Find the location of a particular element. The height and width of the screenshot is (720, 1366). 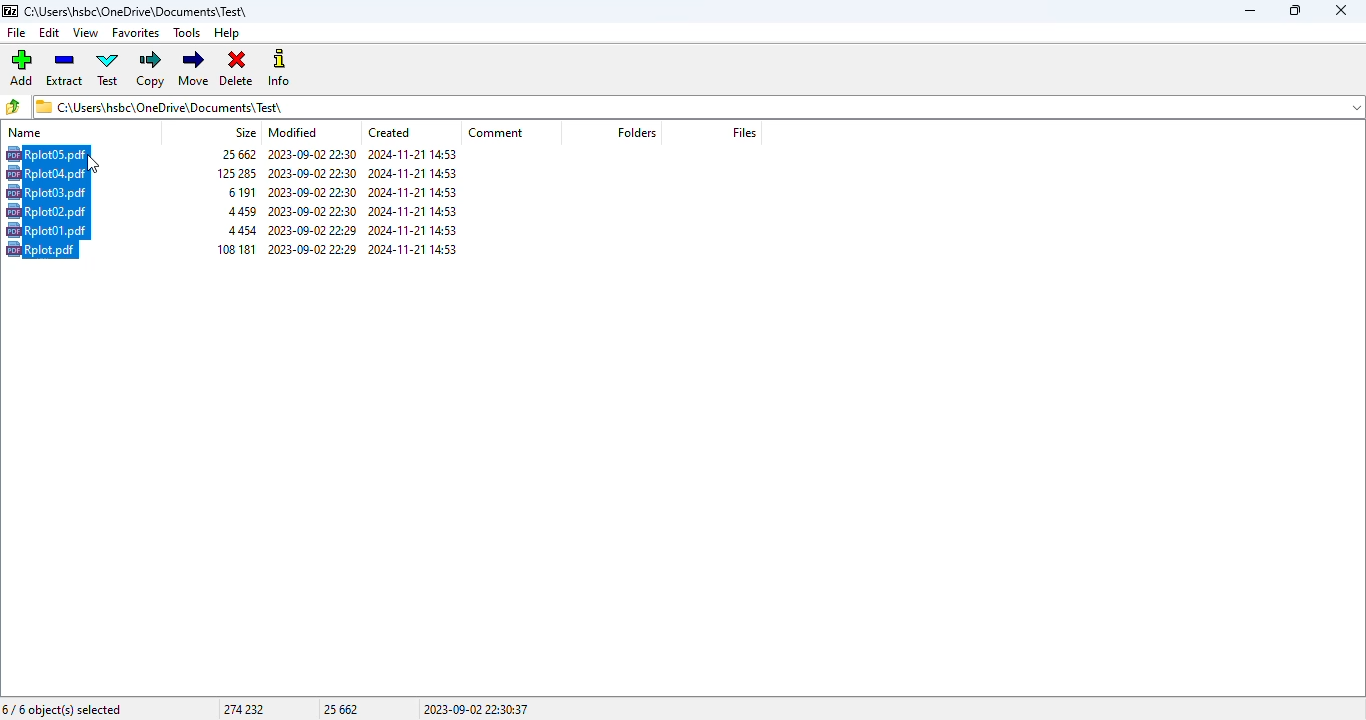

extract is located at coordinates (66, 68).